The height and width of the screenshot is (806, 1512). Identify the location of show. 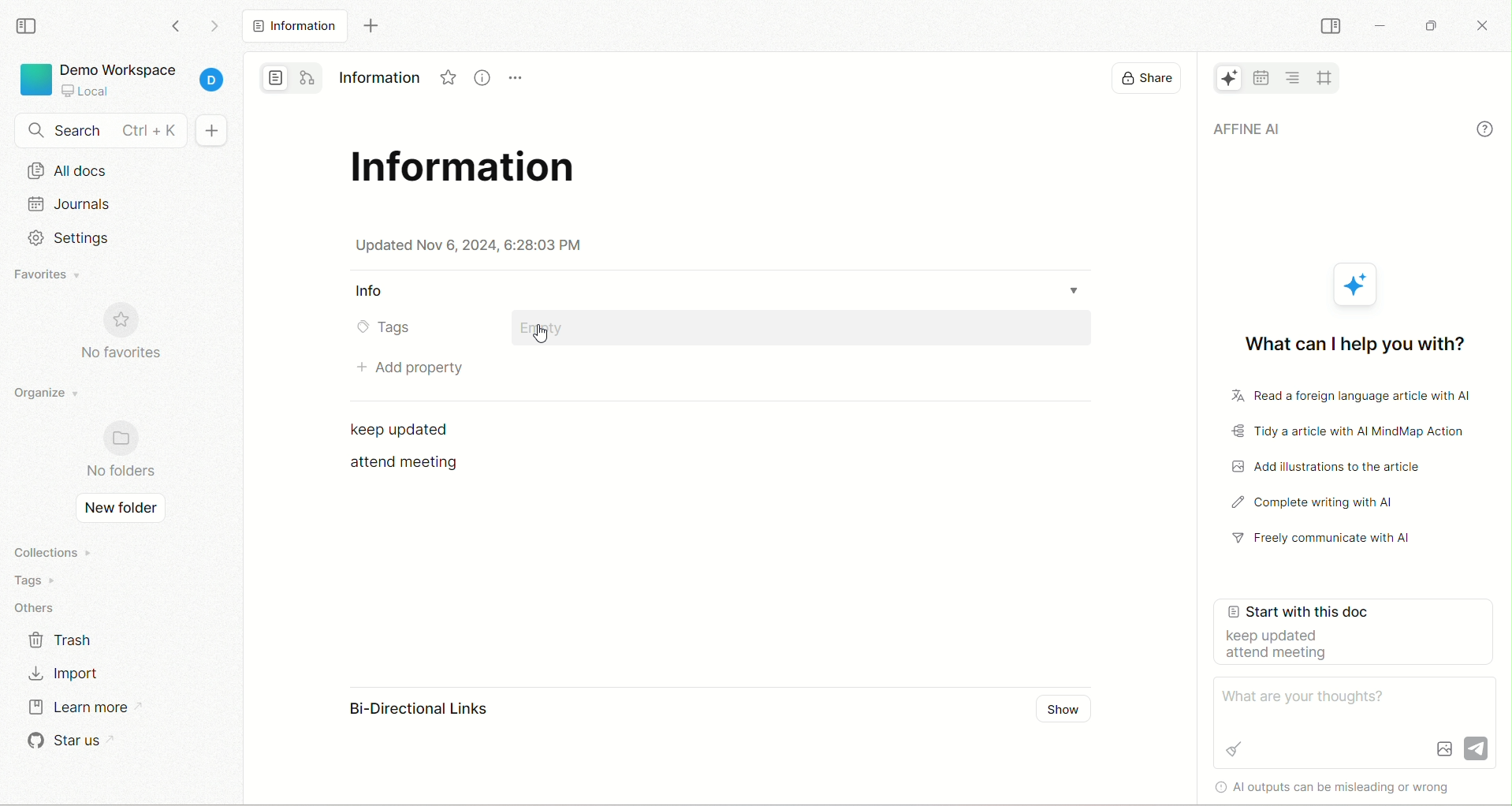
(1063, 711).